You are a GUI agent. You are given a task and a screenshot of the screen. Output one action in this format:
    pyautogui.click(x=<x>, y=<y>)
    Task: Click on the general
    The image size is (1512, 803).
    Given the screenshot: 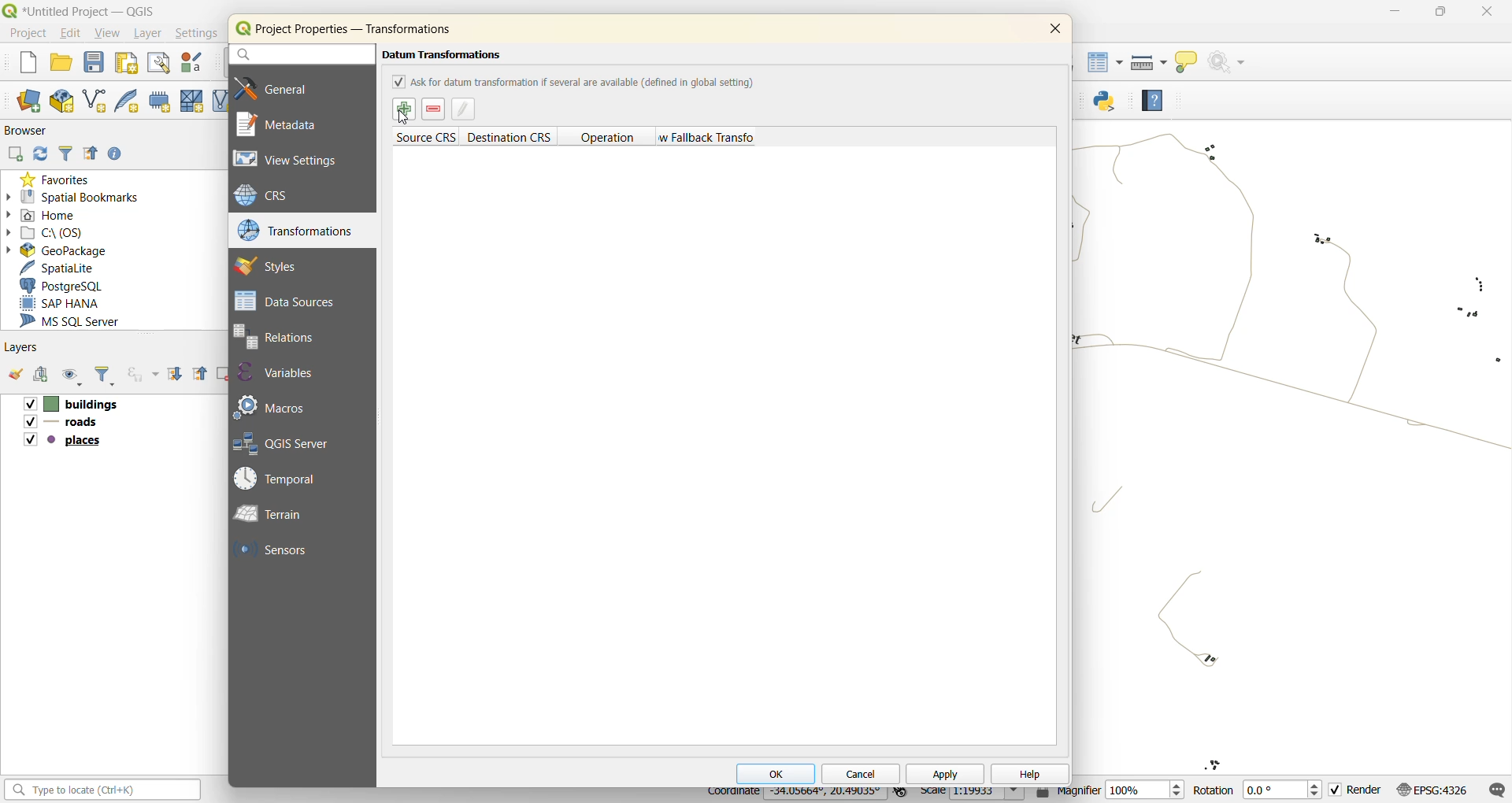 What is the action you would take?
    pyautogui.click(x=287, y=87)
    